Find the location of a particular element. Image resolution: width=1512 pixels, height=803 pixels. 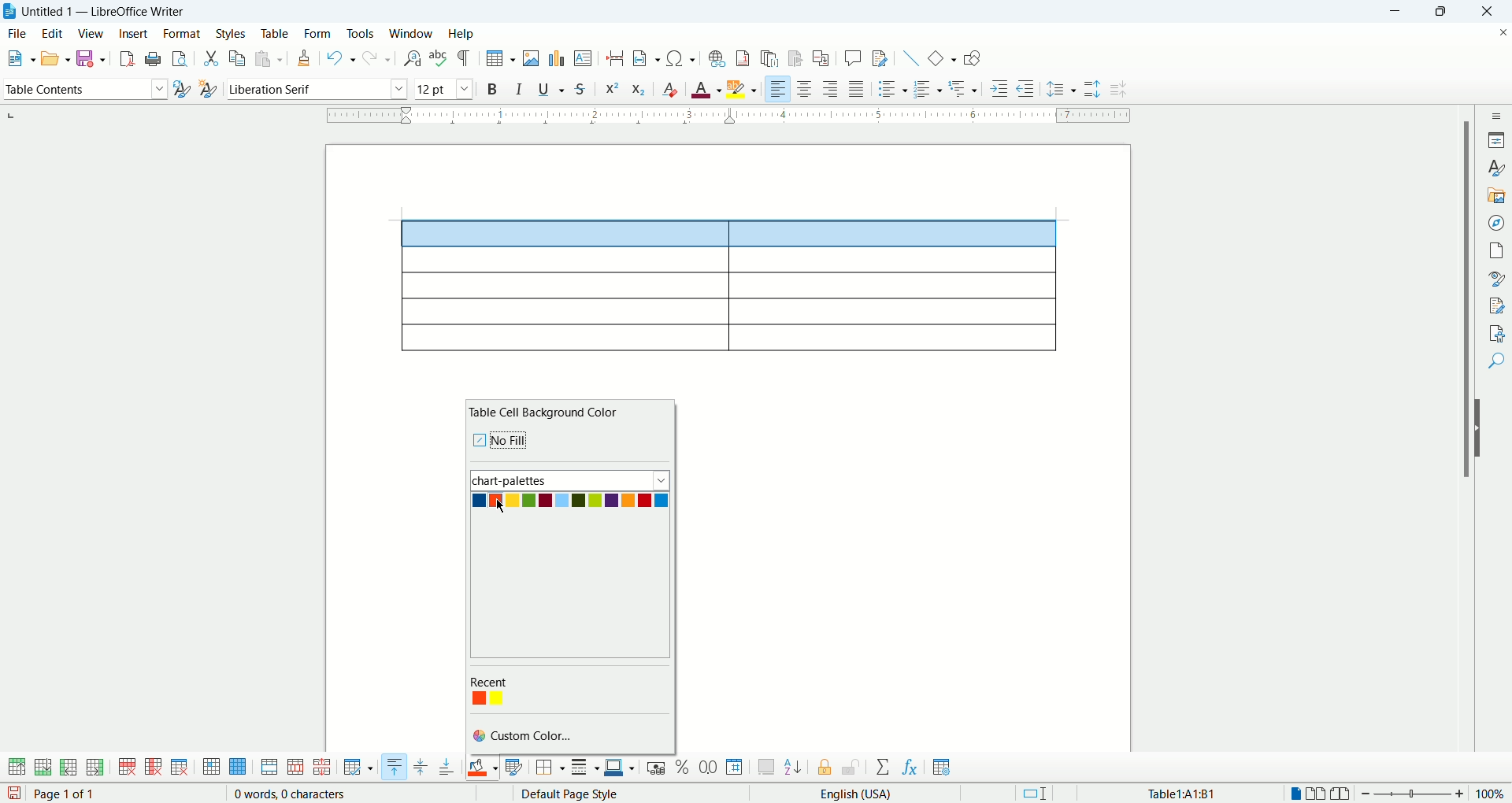

open is located at coordinates (55, 57).